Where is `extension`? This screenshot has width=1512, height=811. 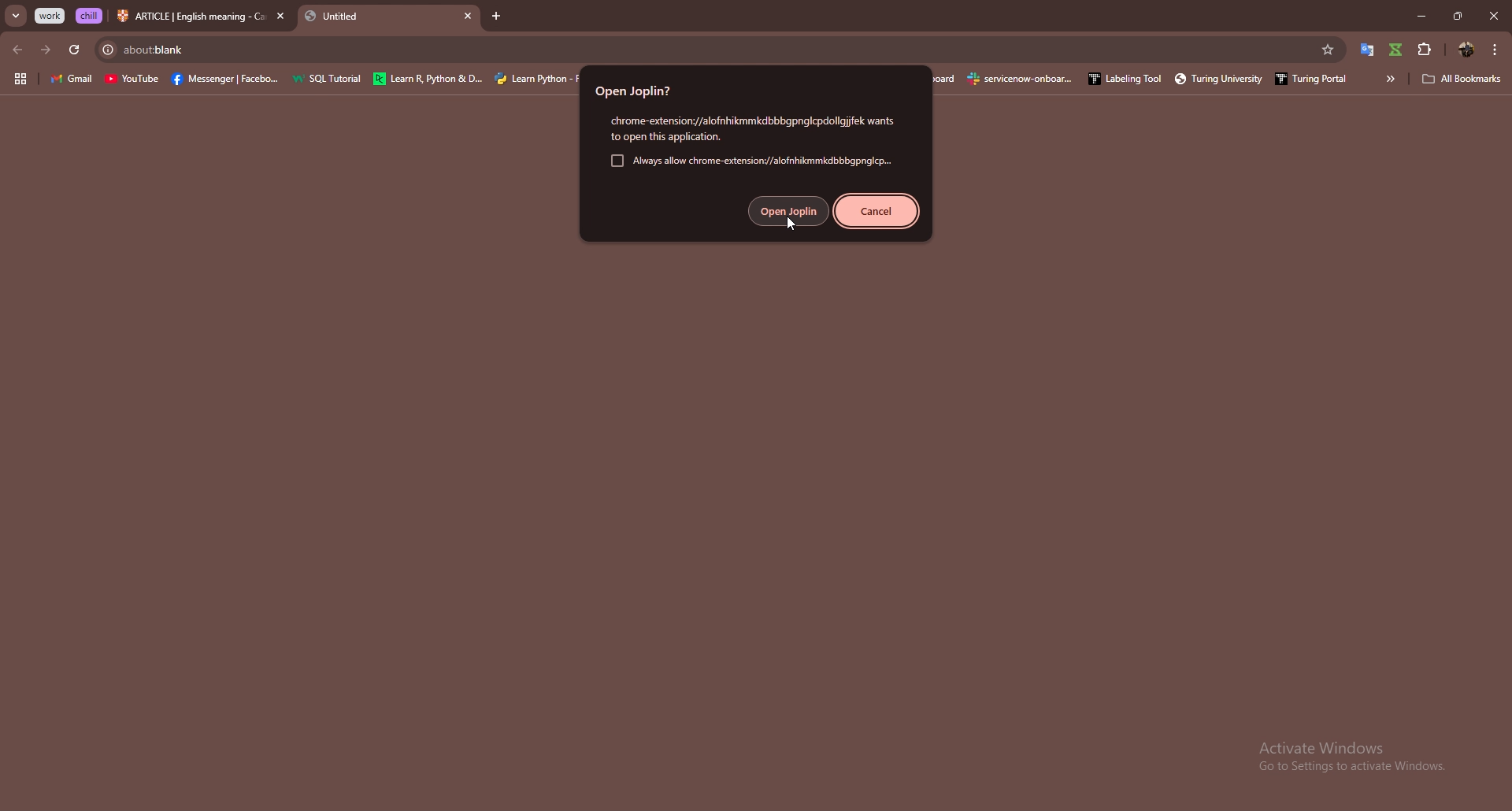
extension is located at coordinates (1364, 50).